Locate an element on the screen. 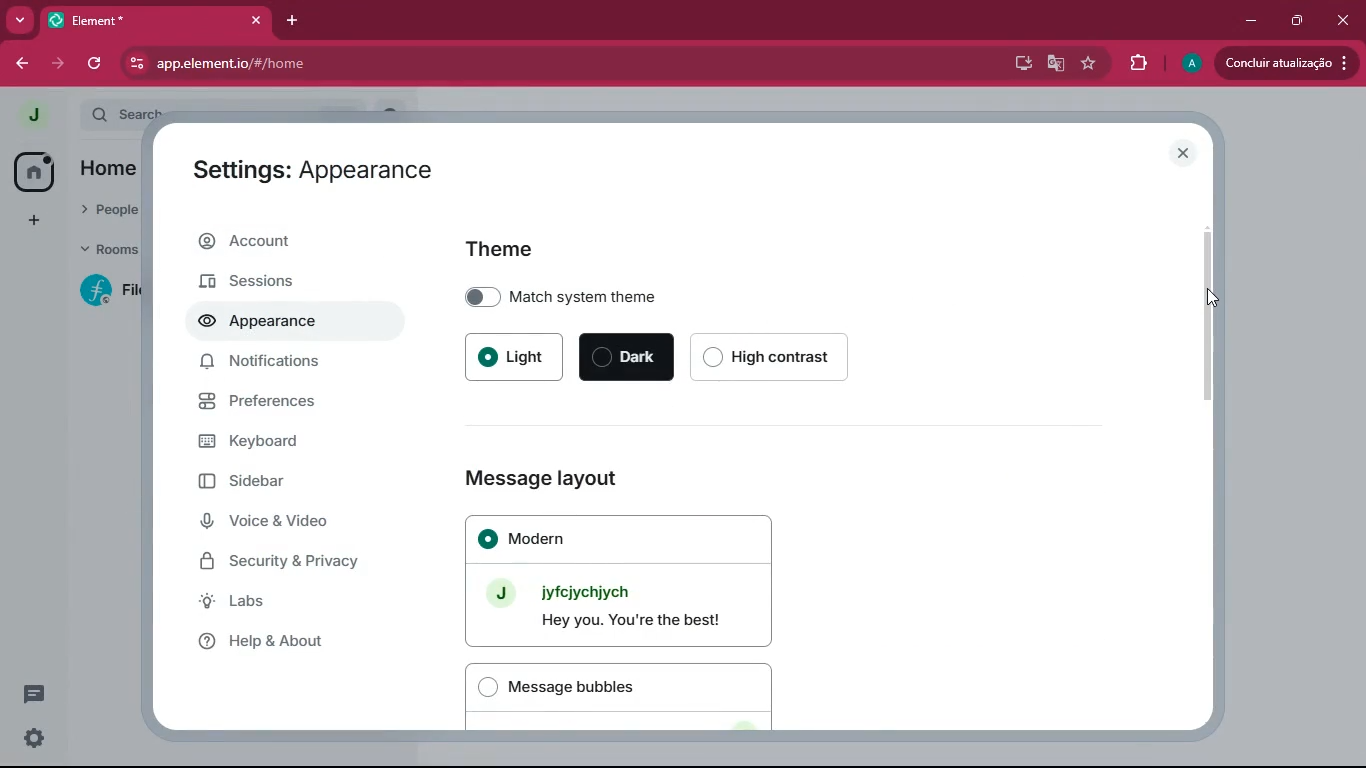  refresh is located at coordinates (96, 63).